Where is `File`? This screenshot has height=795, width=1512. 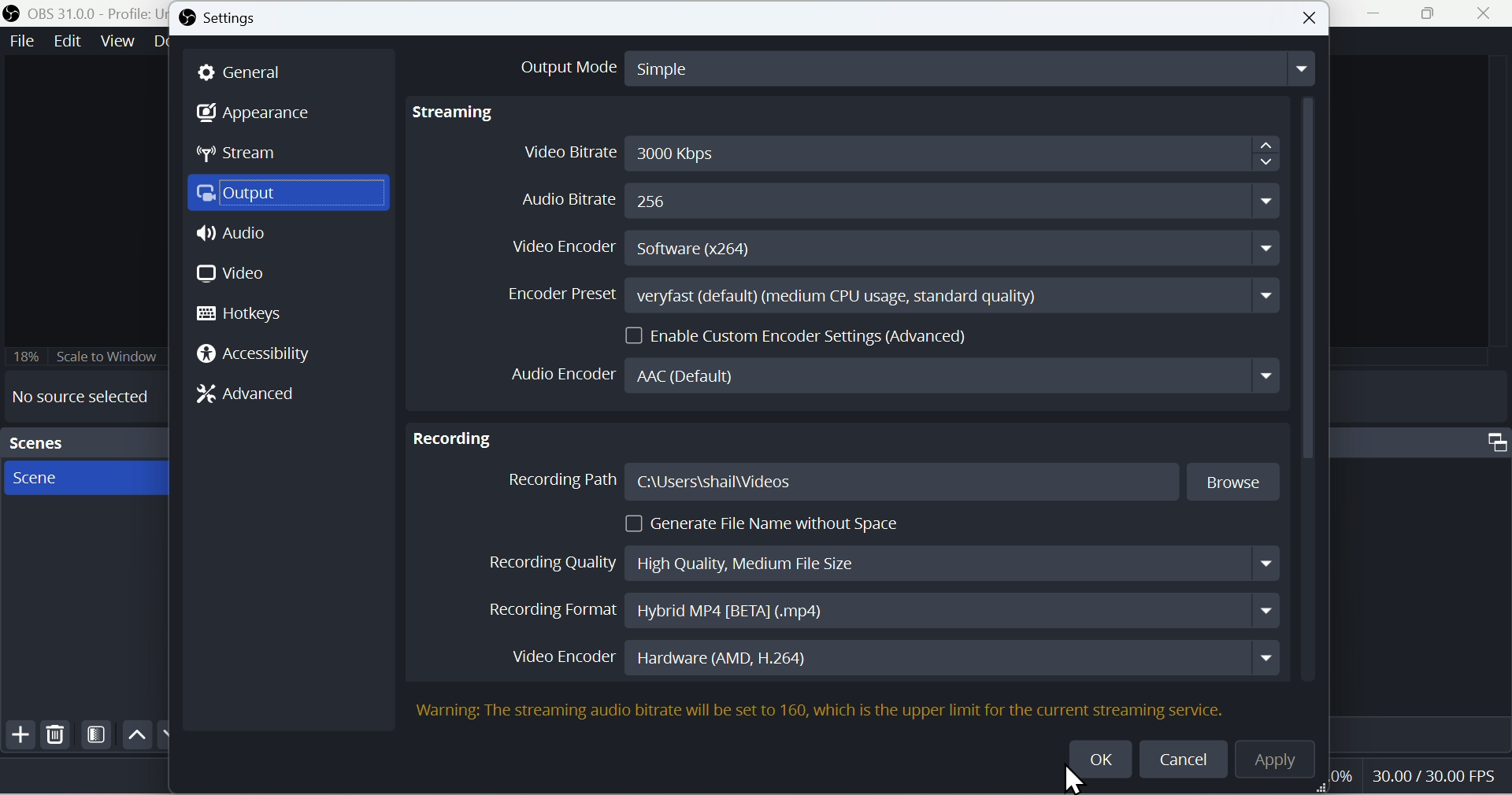 File is located at coordinates (20, 42).